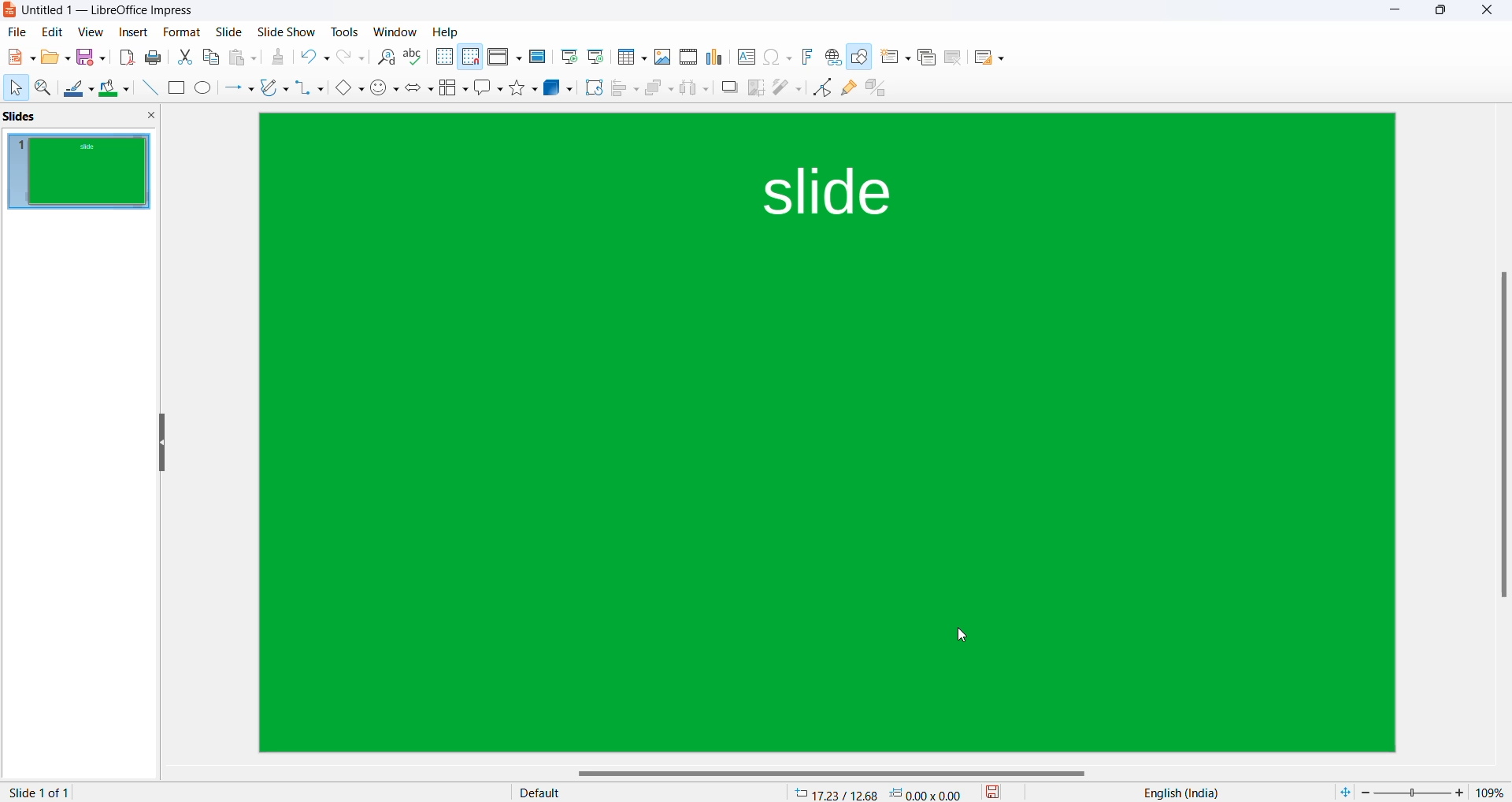 Image resolution: width=1512 pixels, height=802 pixels. What do you see at coordinates (729, 87) in the screenshot?
I see `shadow` at bounding box center [729, 87].